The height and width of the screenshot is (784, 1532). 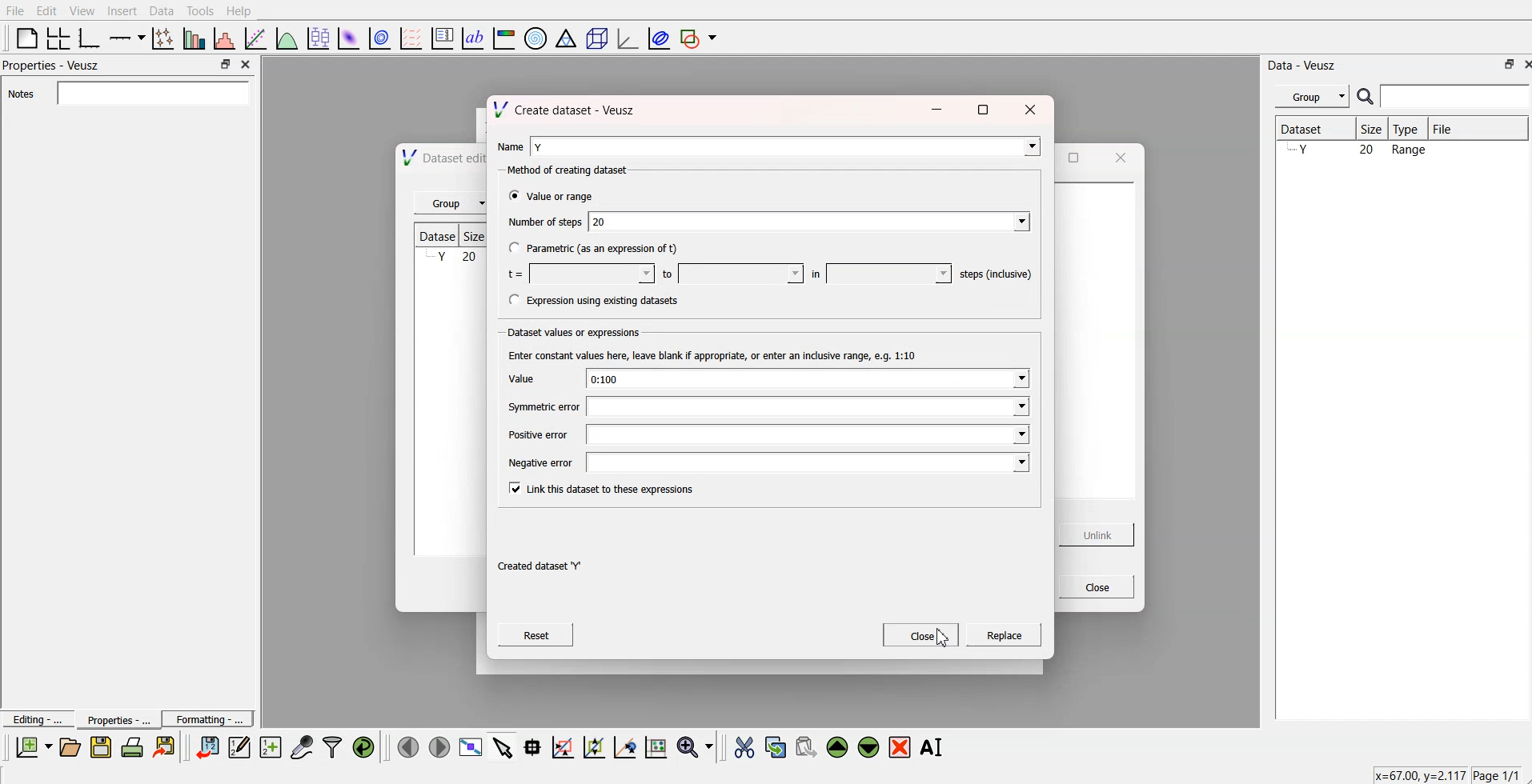 I want to click on text label, so click(x=473, y=38).